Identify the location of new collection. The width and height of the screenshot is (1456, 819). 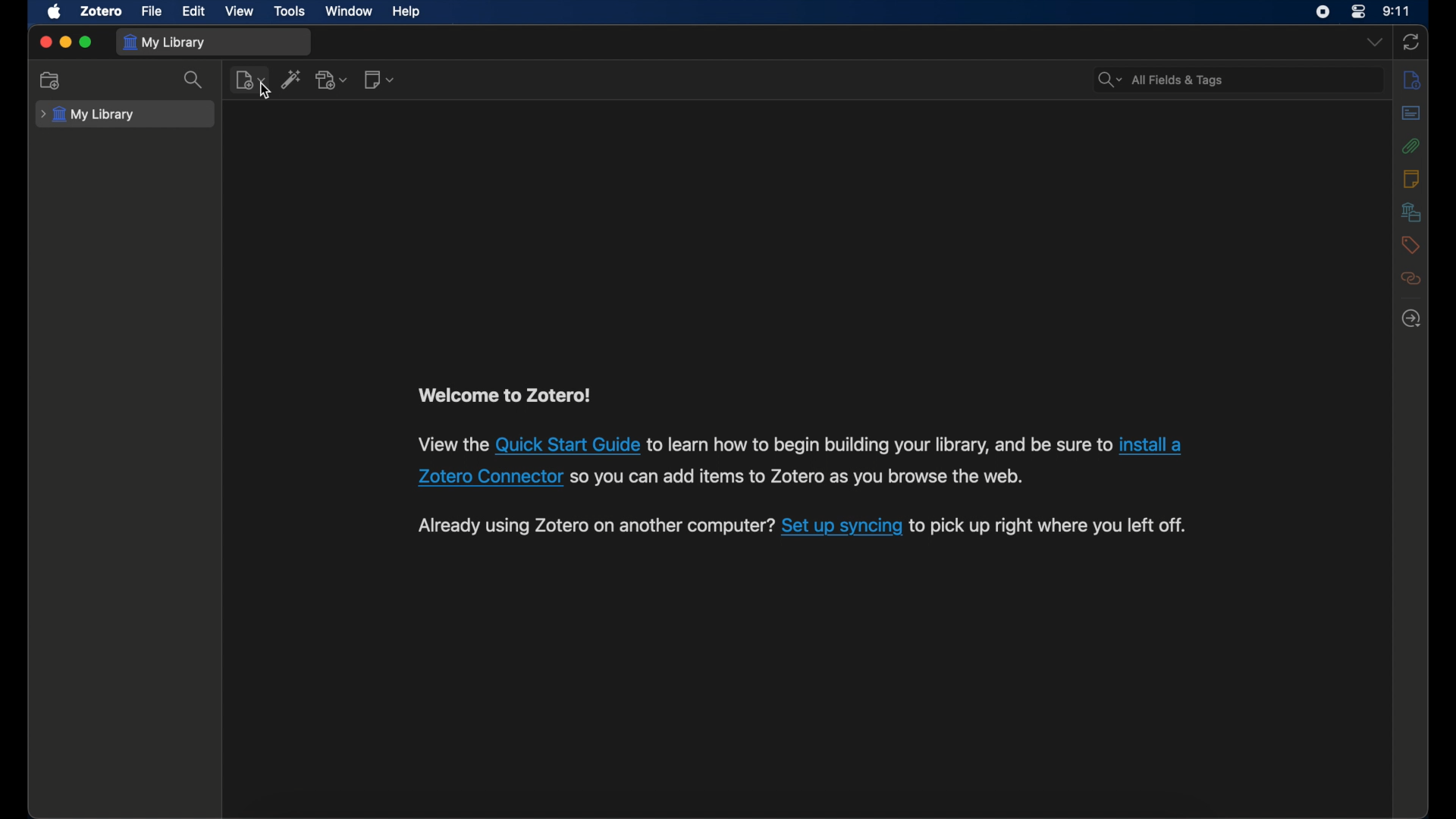
(51, 81).